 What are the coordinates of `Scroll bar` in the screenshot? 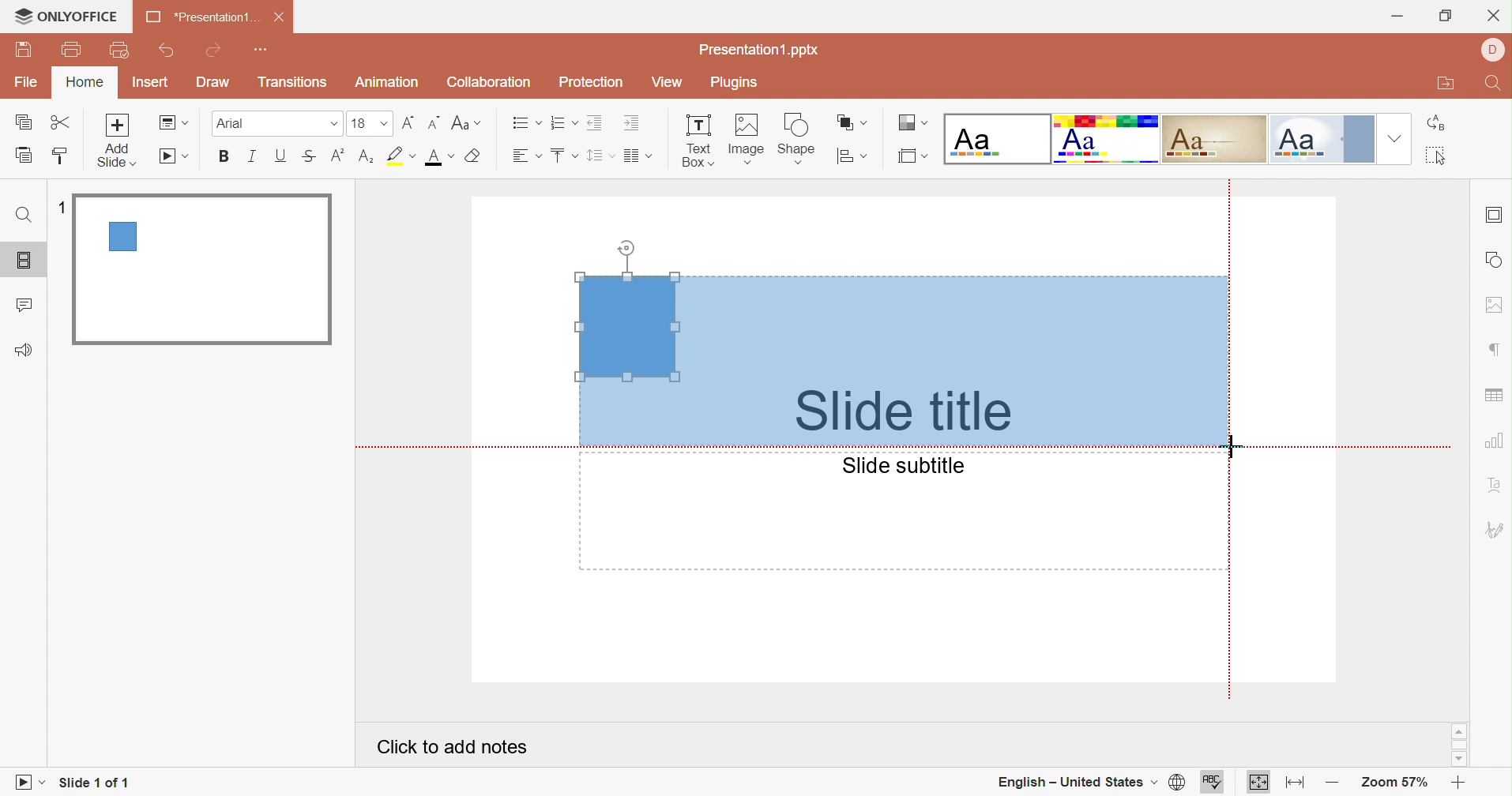 It's located at (1460, 745).